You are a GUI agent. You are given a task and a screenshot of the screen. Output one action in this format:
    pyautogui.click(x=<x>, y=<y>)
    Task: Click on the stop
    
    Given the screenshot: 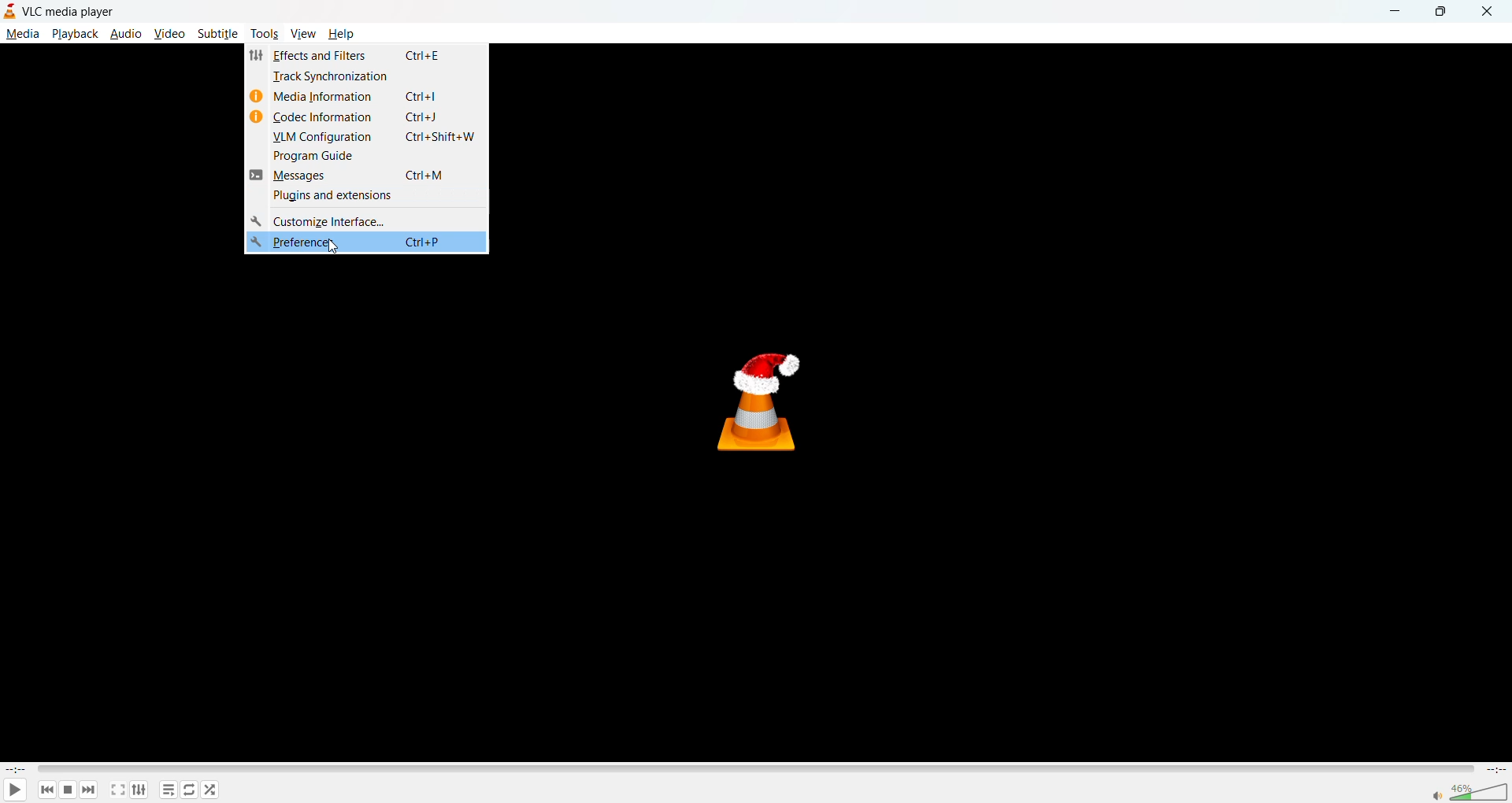 What is the action you would take?
    pyautogui.click(x=65, y=790)
    